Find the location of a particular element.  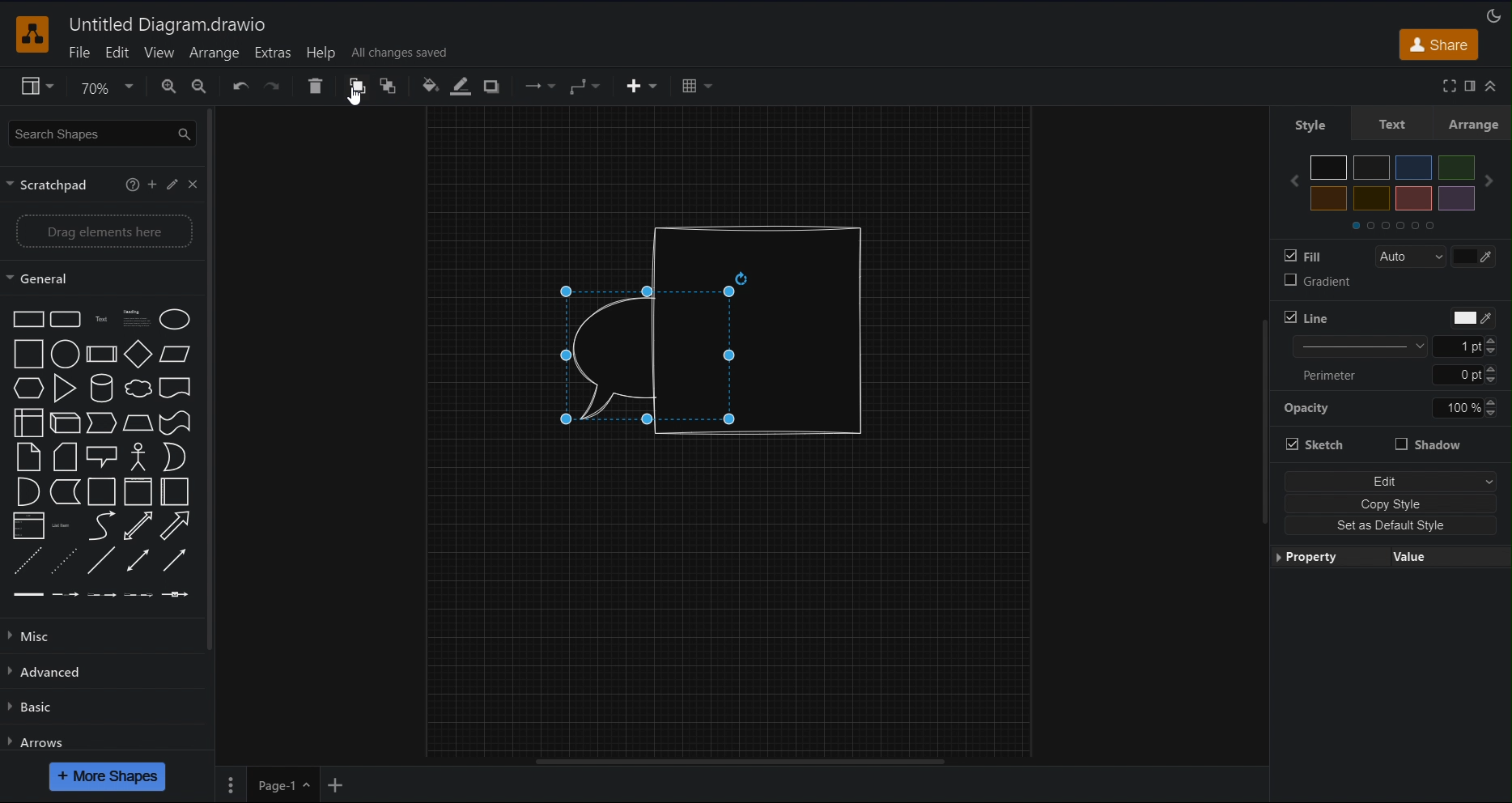

Opacity is located at coordinates (1306, 409).